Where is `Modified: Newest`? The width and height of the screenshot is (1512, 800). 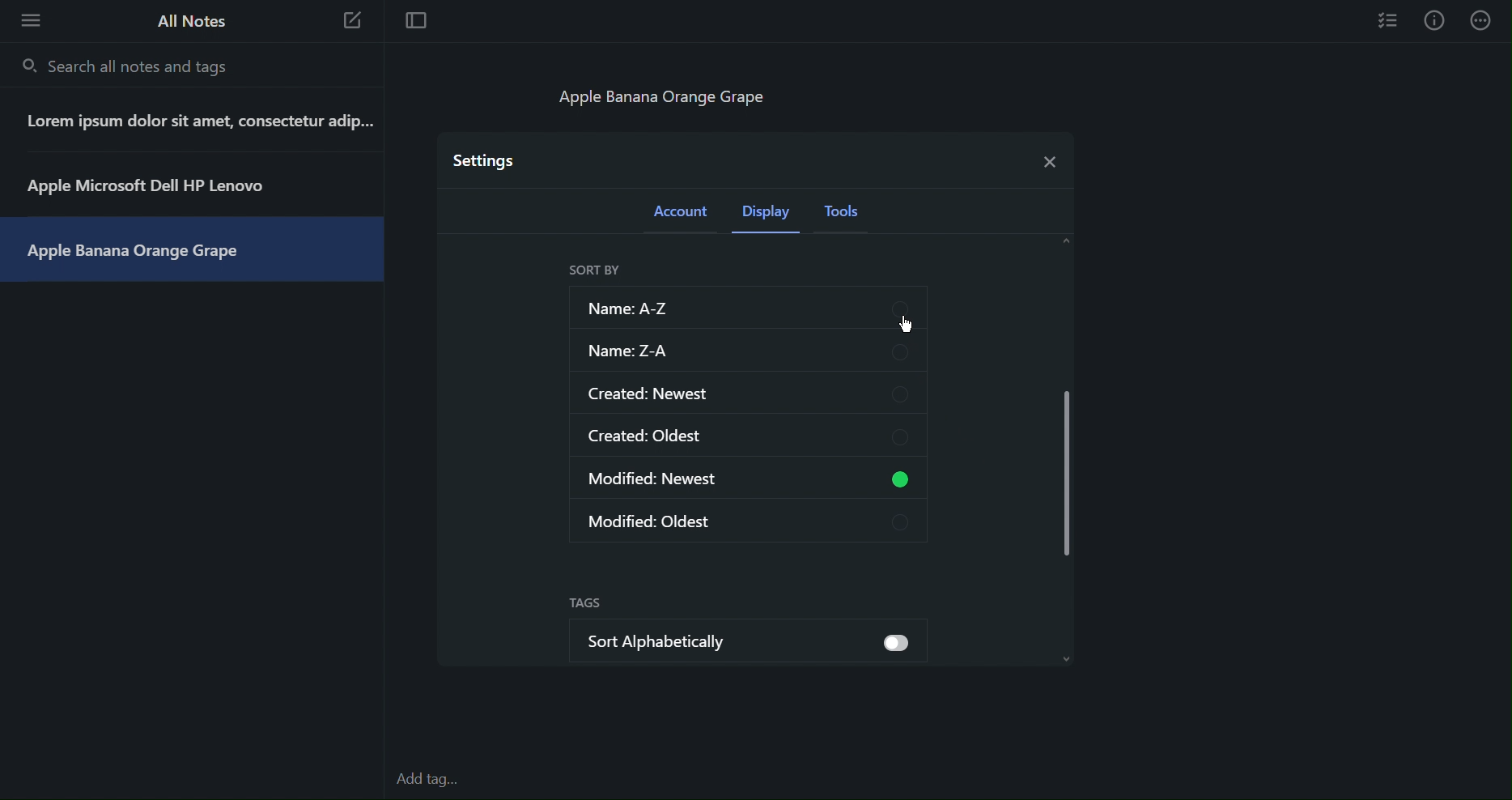
Modified: Newest is located at coordinates (720, 479).